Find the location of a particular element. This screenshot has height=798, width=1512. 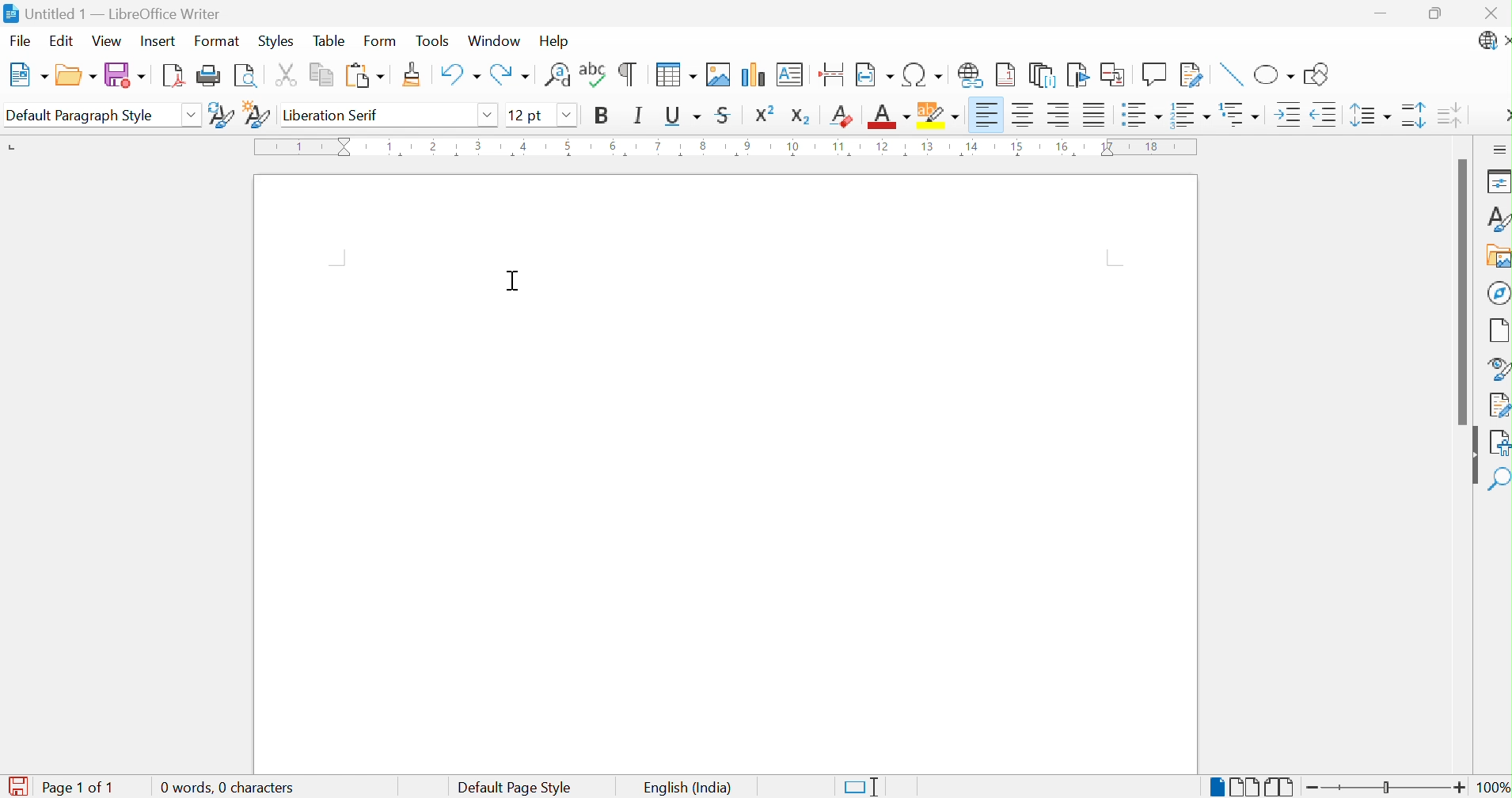

Accessibility Check is located at coordinates (1499, 444).